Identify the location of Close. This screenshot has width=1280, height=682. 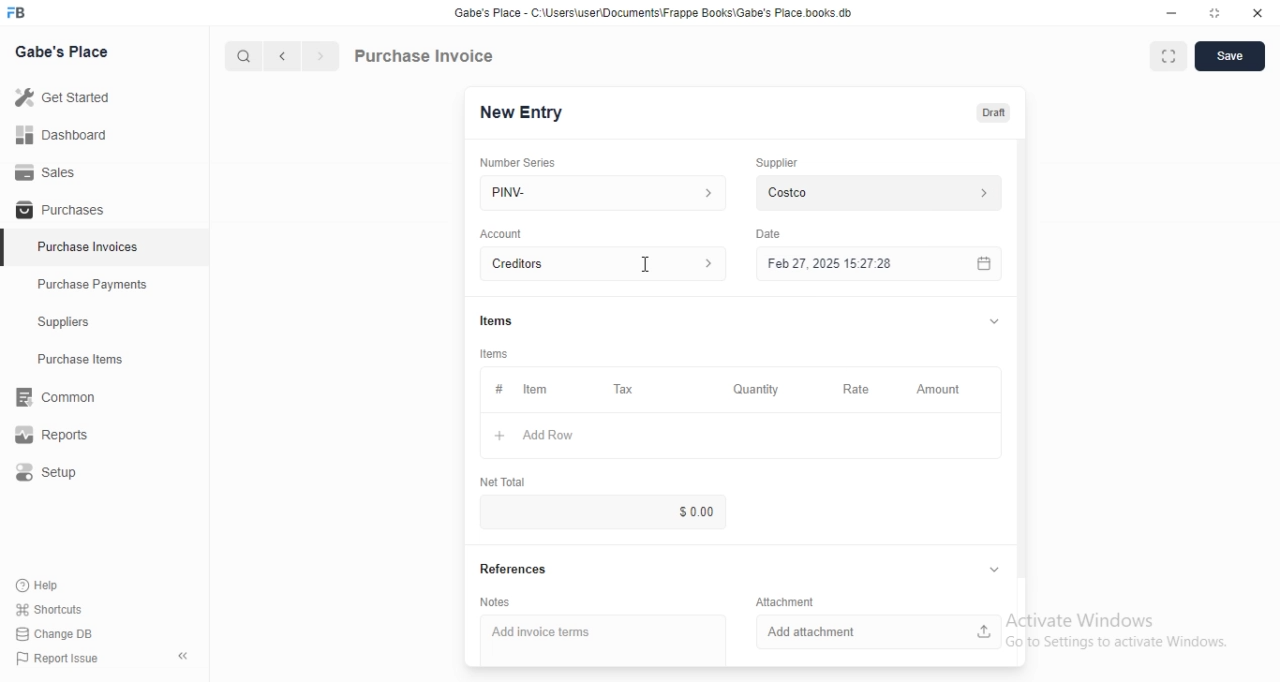
(1258, 13).